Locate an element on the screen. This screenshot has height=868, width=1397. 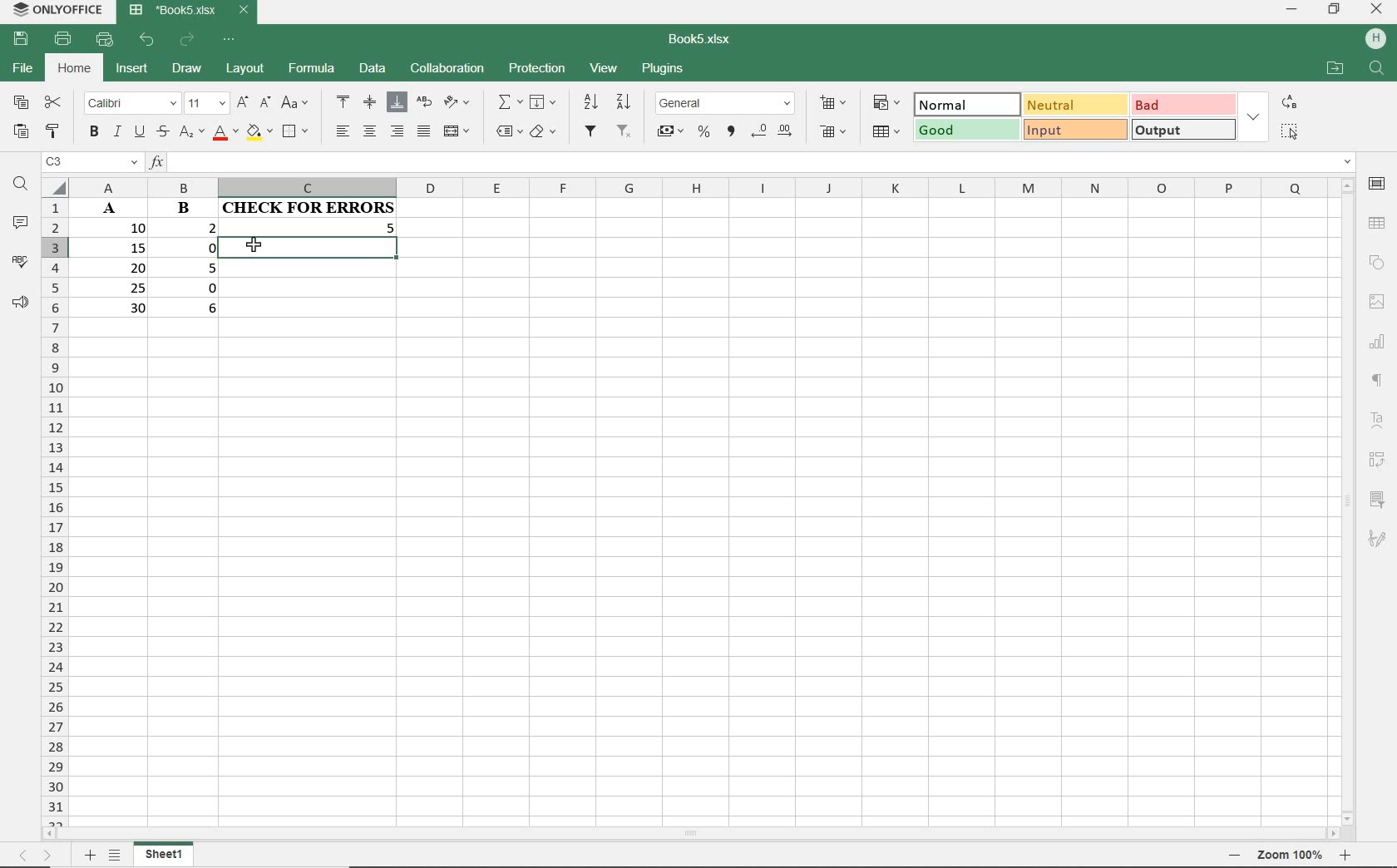
MERGE & CENTER is located at coordinates (457, 131).